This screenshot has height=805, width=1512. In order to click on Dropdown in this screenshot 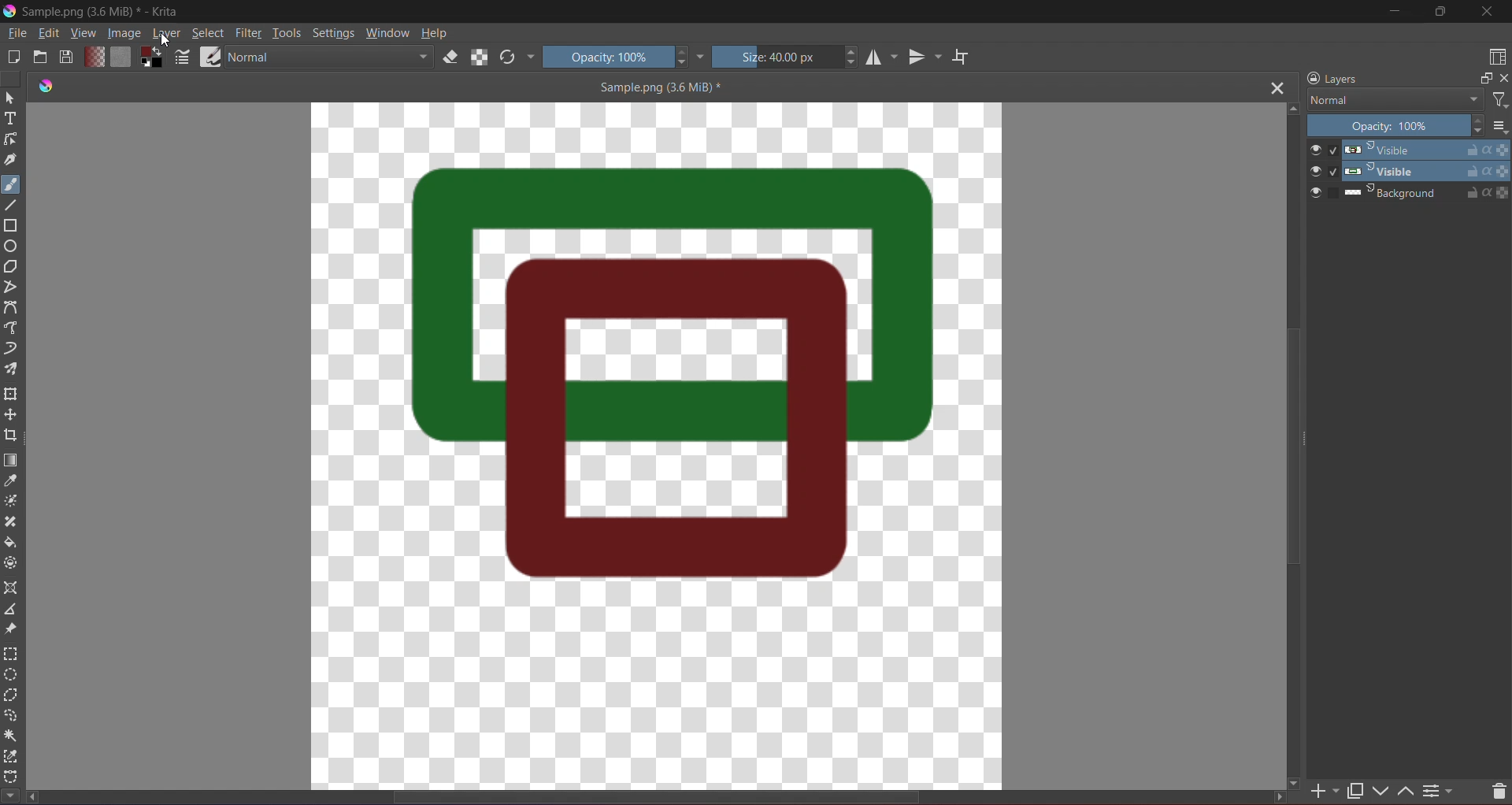, I will do `click(530, 57)`.